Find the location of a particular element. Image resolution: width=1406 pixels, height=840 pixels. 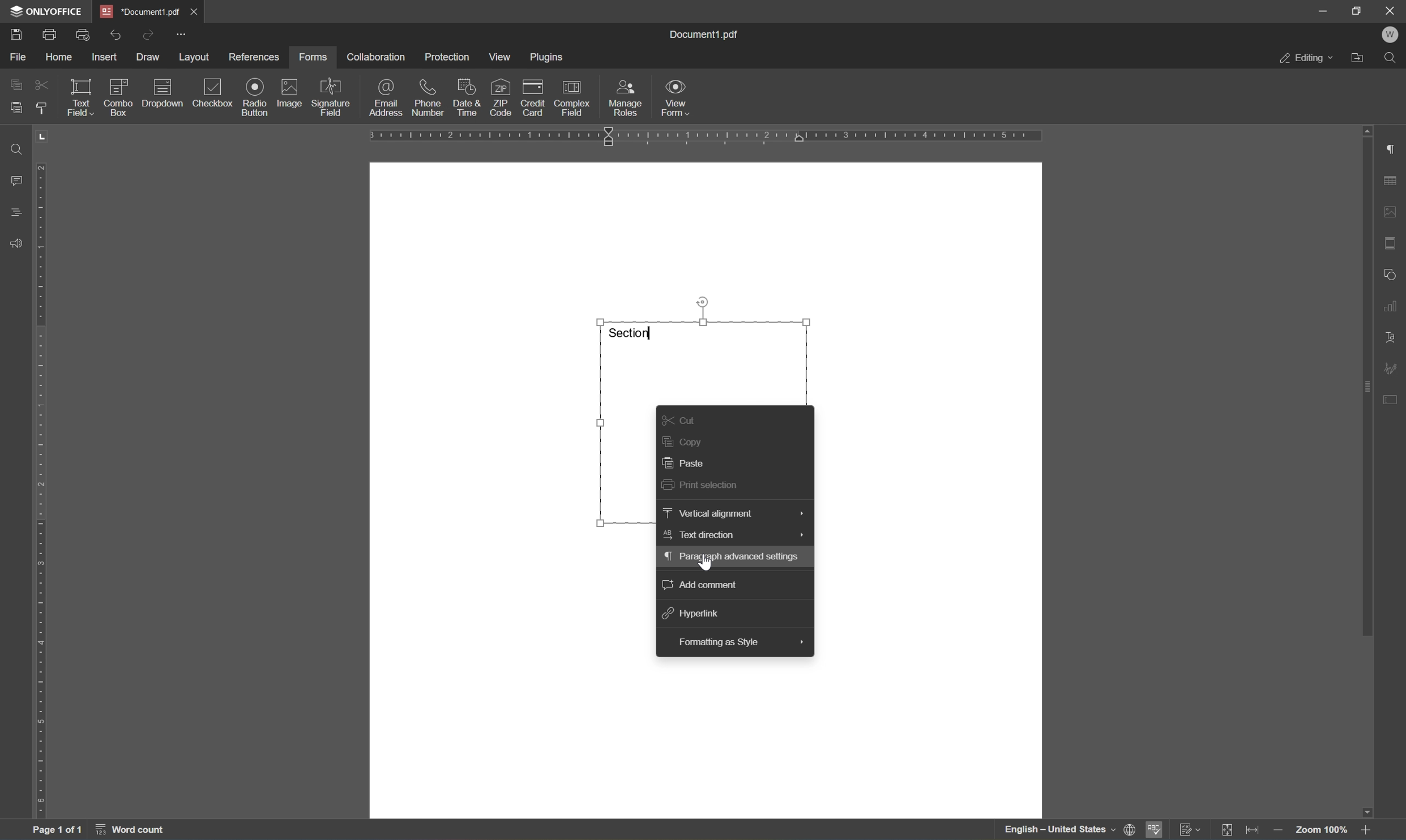

comments is located at coordinates (15, 179).